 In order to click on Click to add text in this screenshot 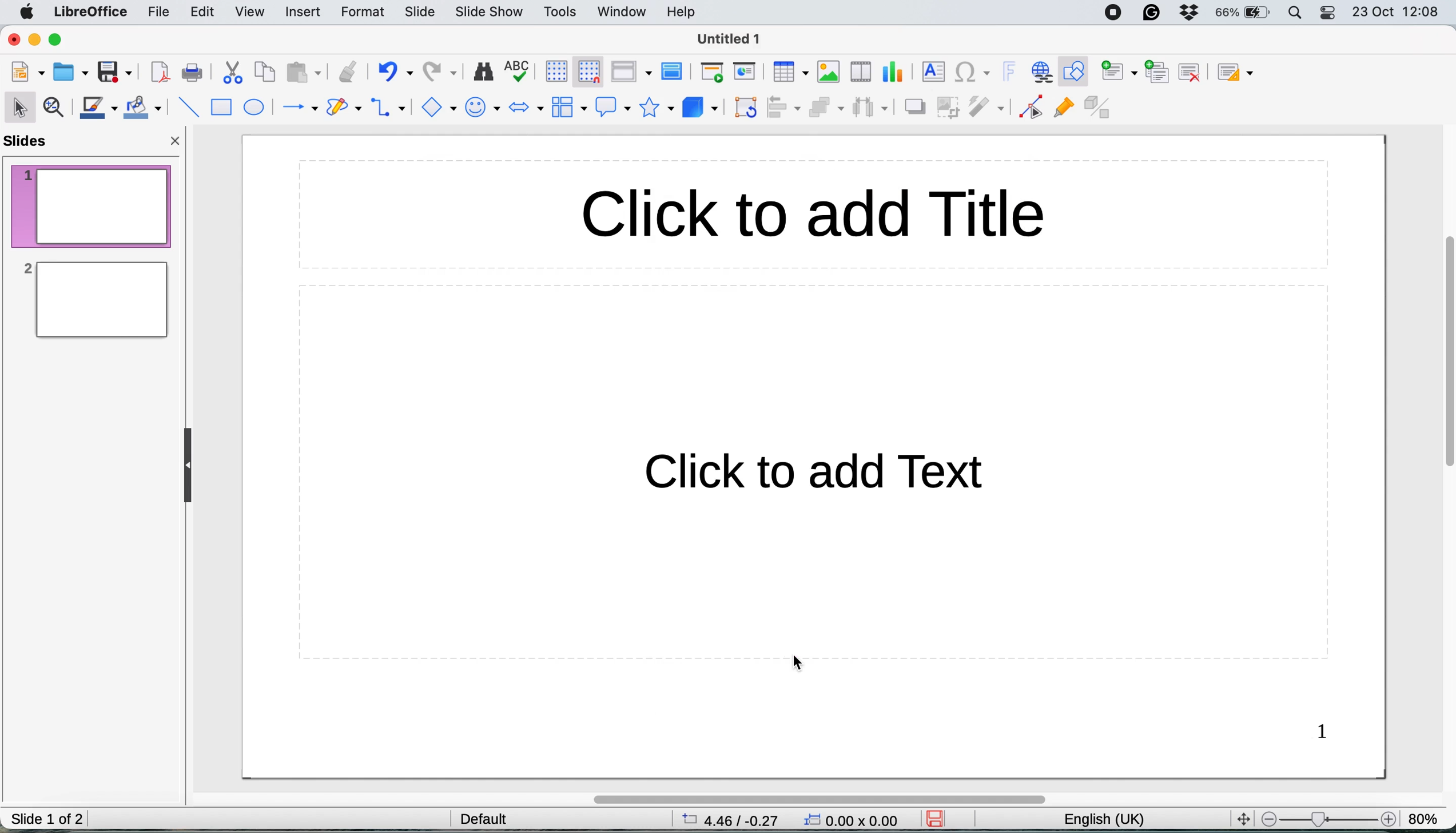, I will do `click(799, 481)`.